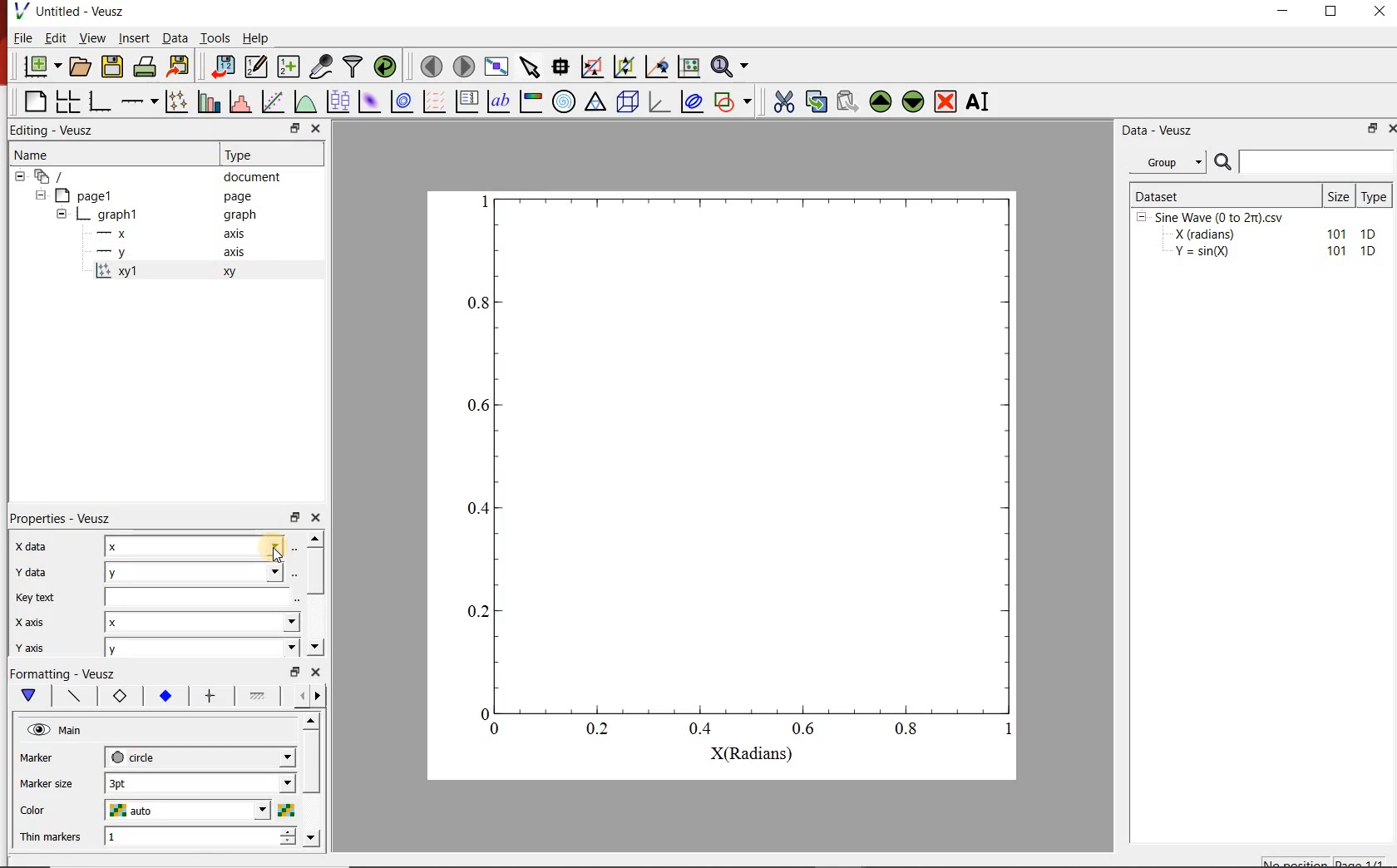  I want to click on Size, so click(1340, 195).